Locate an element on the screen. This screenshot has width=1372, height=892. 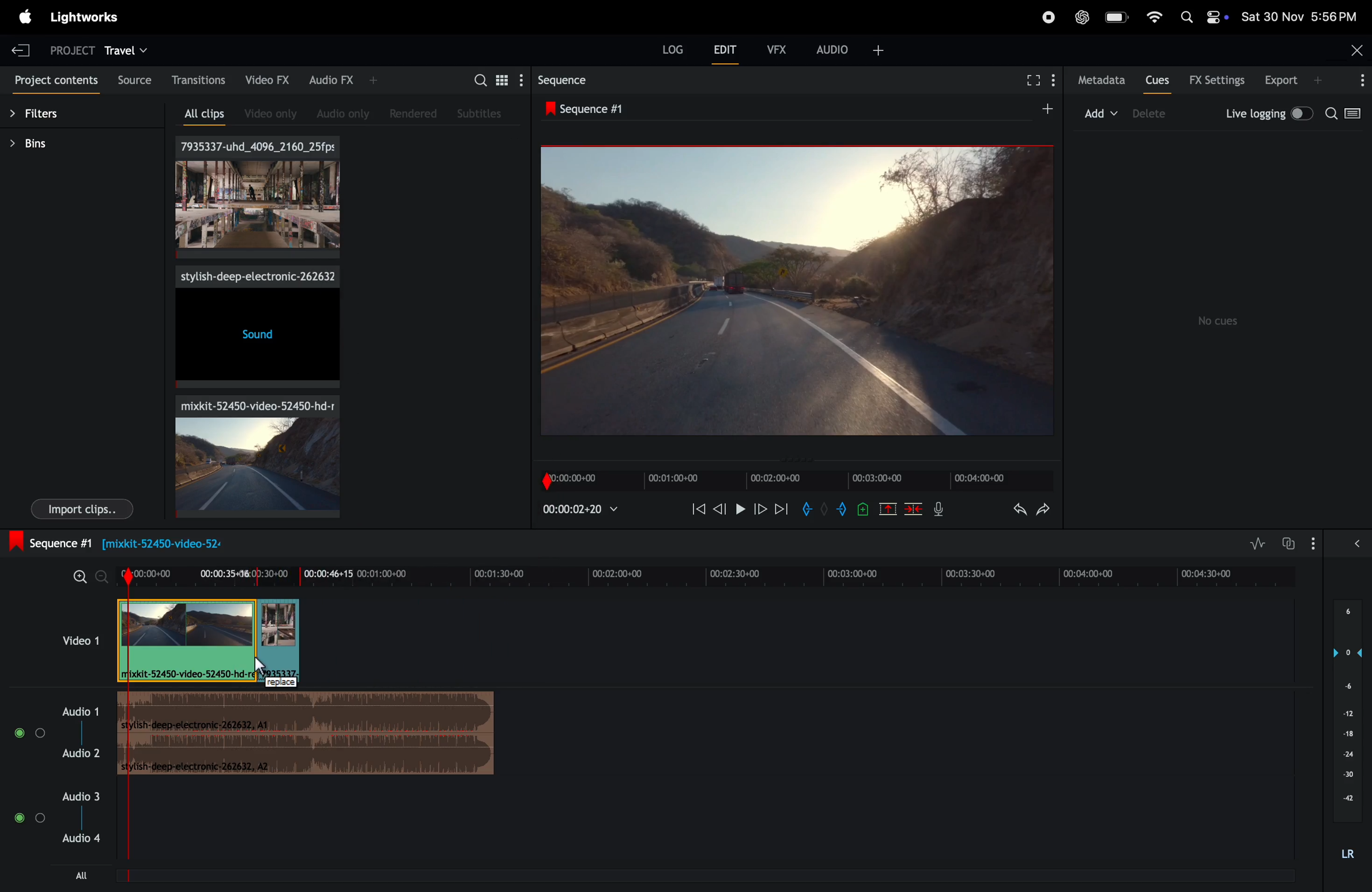
audip track is located at coordinates (309, 735).